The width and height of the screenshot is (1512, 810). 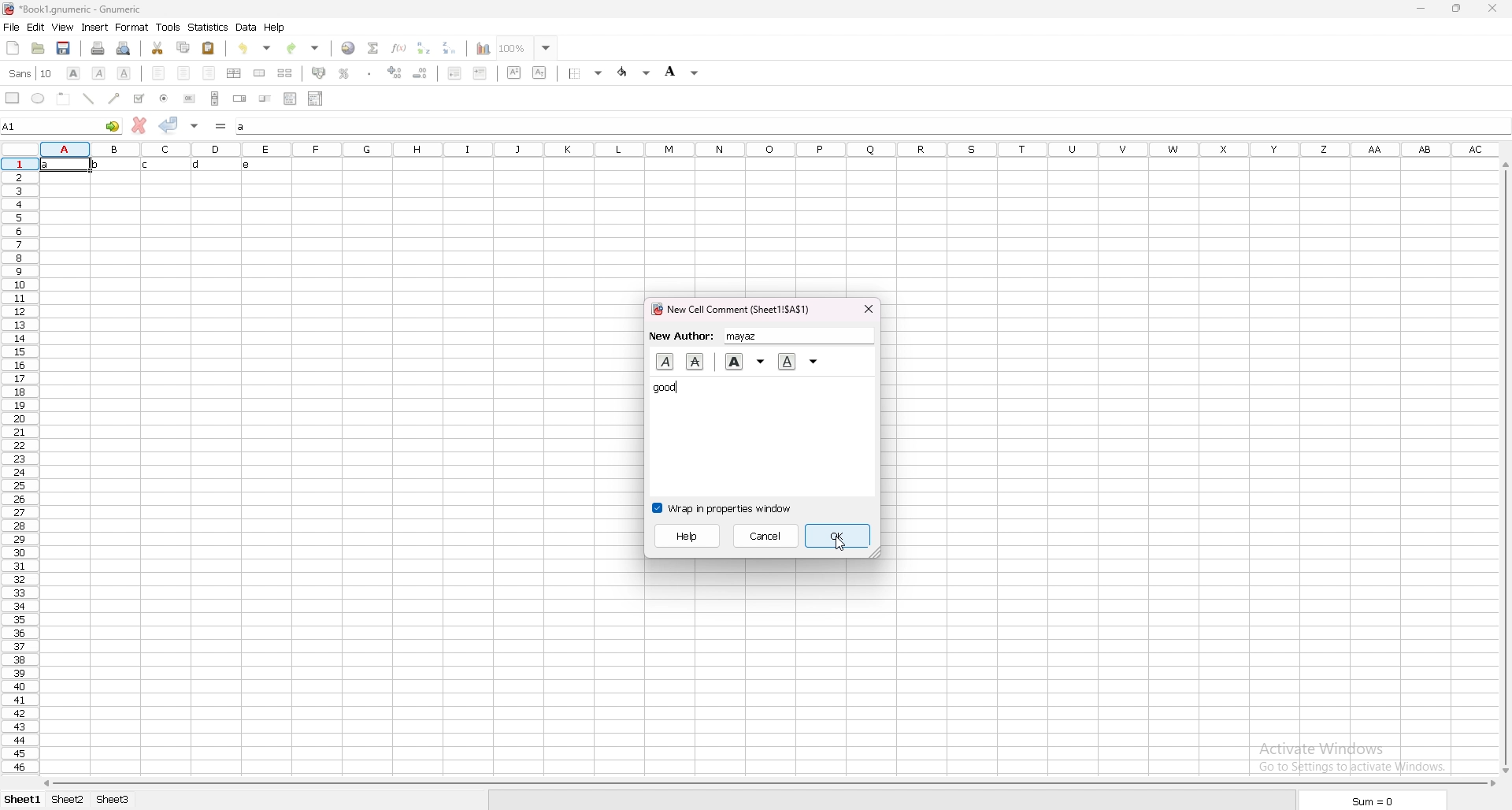 What do you see at coordinates (89, 98) in the screenshot?
I see `line` at bounding box center [89, 98].